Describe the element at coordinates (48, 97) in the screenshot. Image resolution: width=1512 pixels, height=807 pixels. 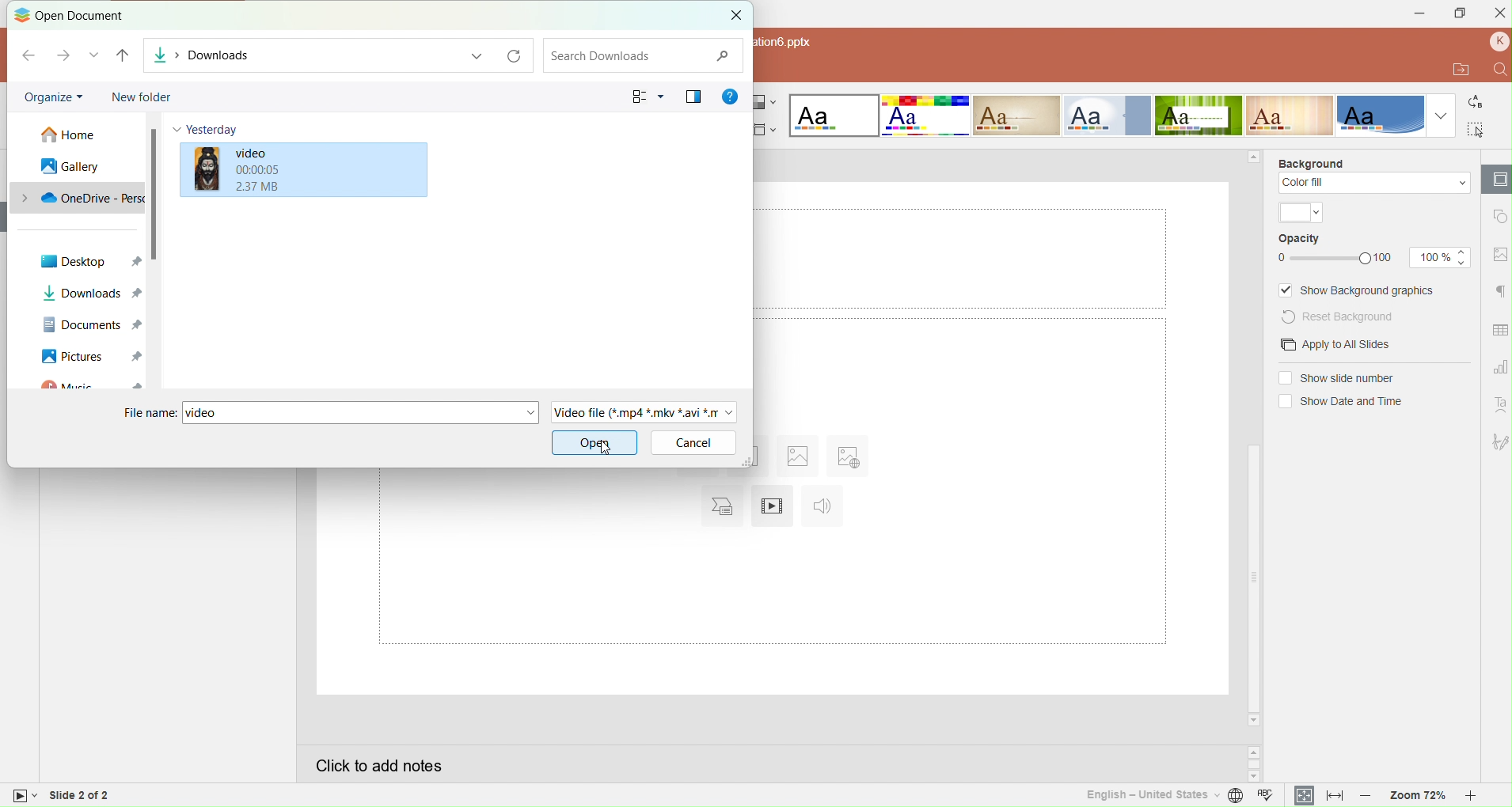
I see `Organize` at that location.